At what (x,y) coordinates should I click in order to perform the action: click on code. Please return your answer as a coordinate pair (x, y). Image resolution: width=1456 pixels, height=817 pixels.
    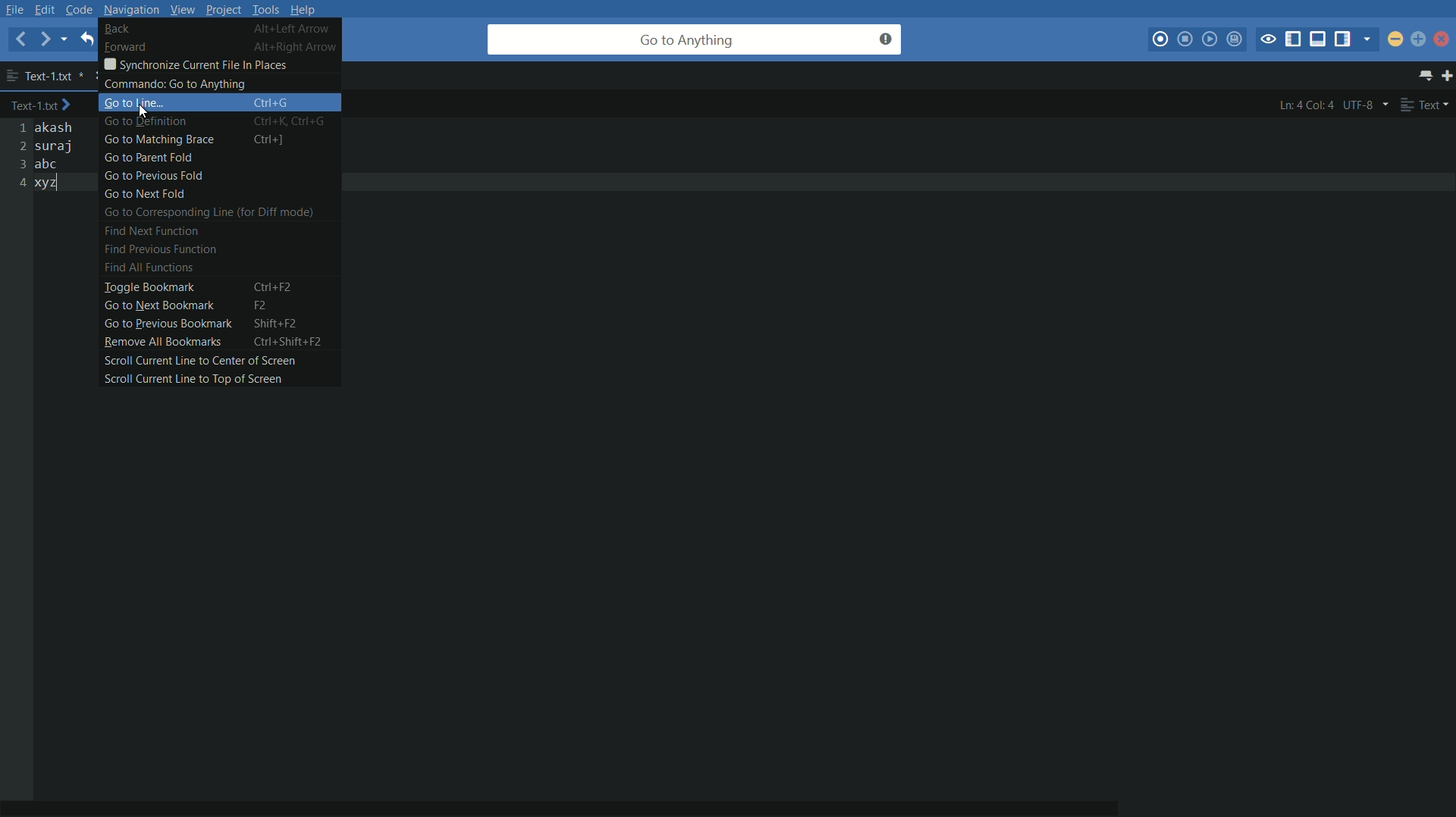
    Looking at the image, I should click on (80, 9).